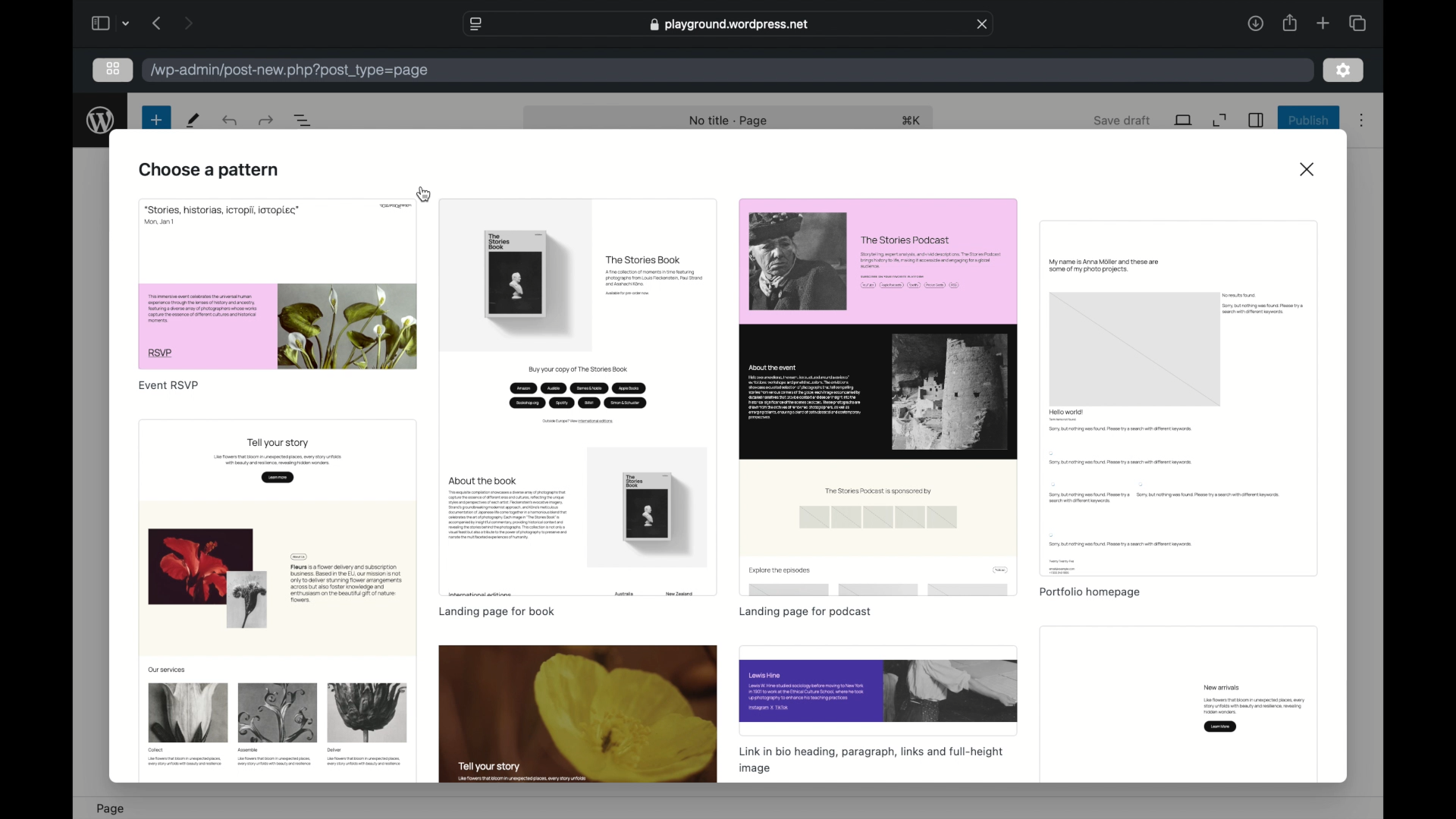  I want to click on preview, so click(278, 282).